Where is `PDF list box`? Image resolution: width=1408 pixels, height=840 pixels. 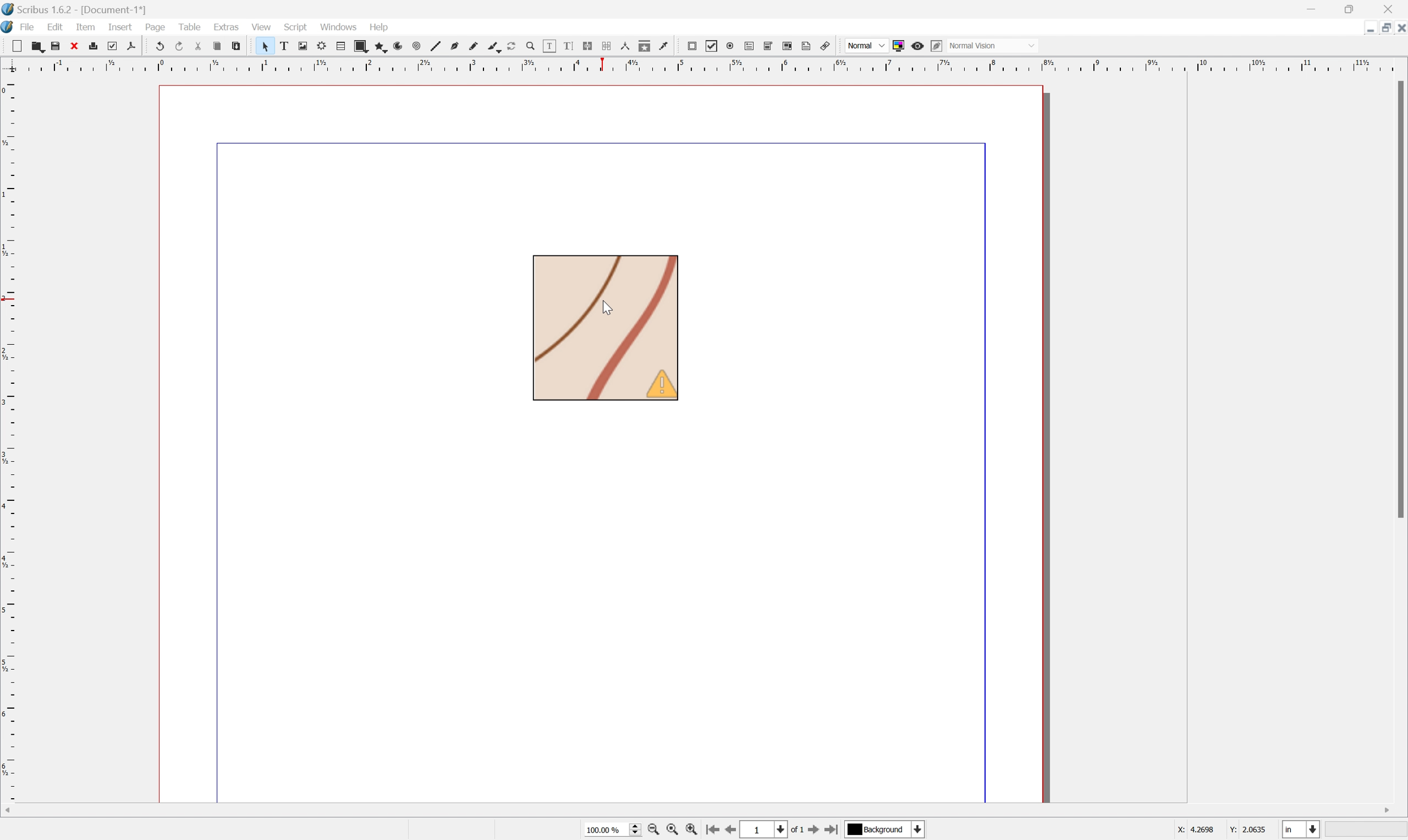
PDF list box is located at coordinates (790, 46).